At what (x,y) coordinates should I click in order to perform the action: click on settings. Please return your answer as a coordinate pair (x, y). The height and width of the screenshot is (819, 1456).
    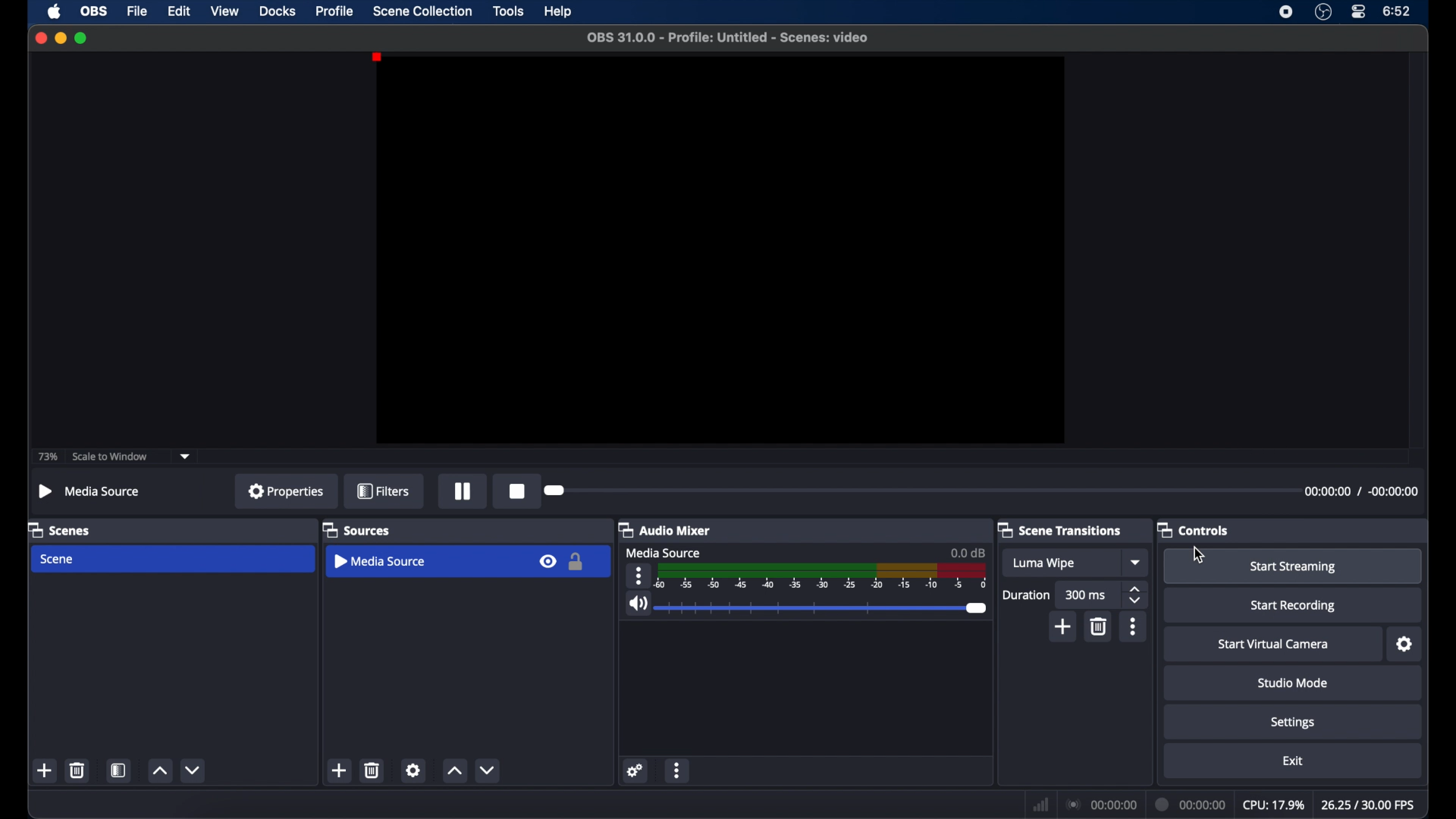
    Looking at the image, I should click on (413, 770).